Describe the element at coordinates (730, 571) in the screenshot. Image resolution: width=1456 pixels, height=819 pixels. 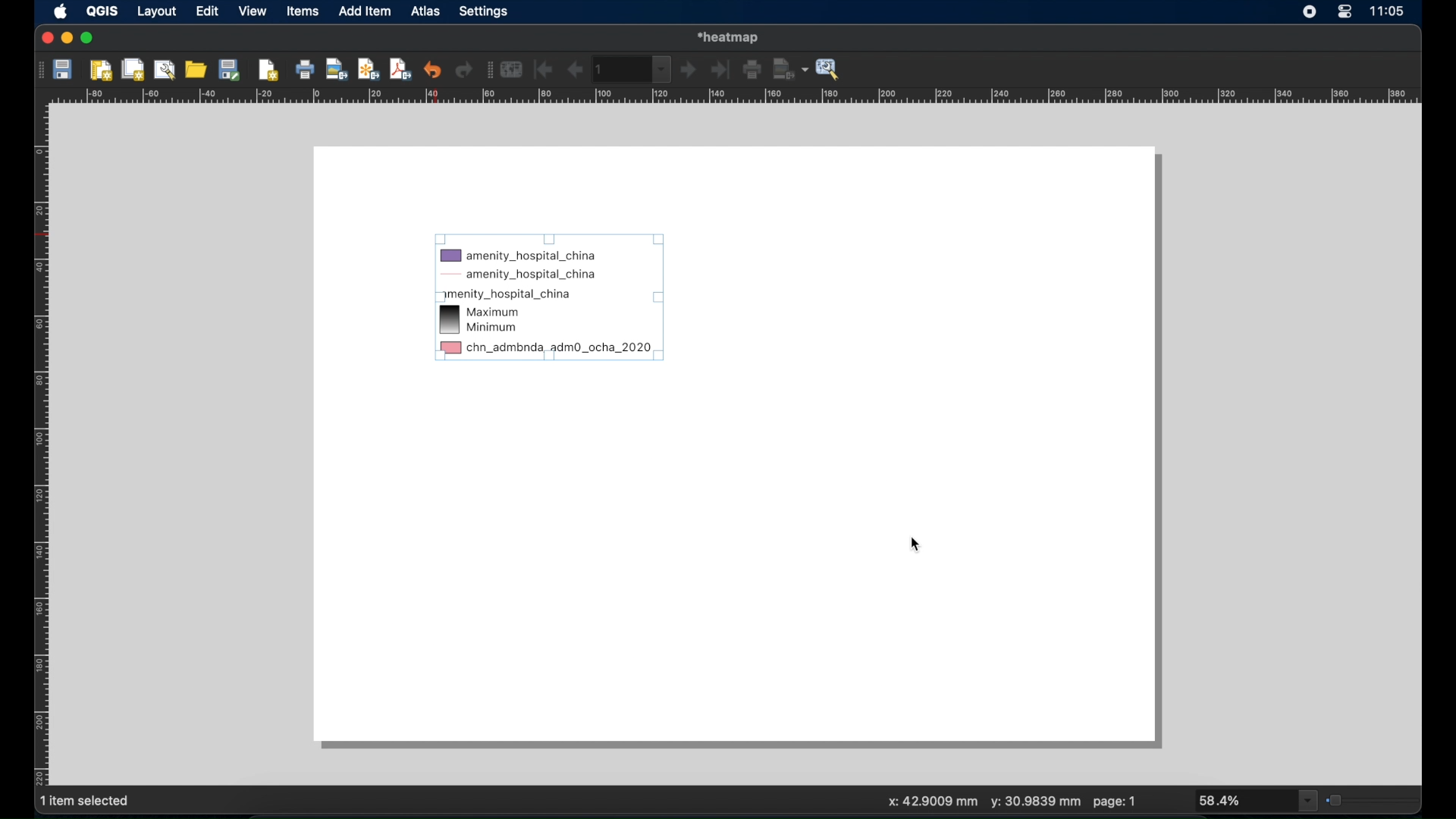
I see `blank layout` at that location.